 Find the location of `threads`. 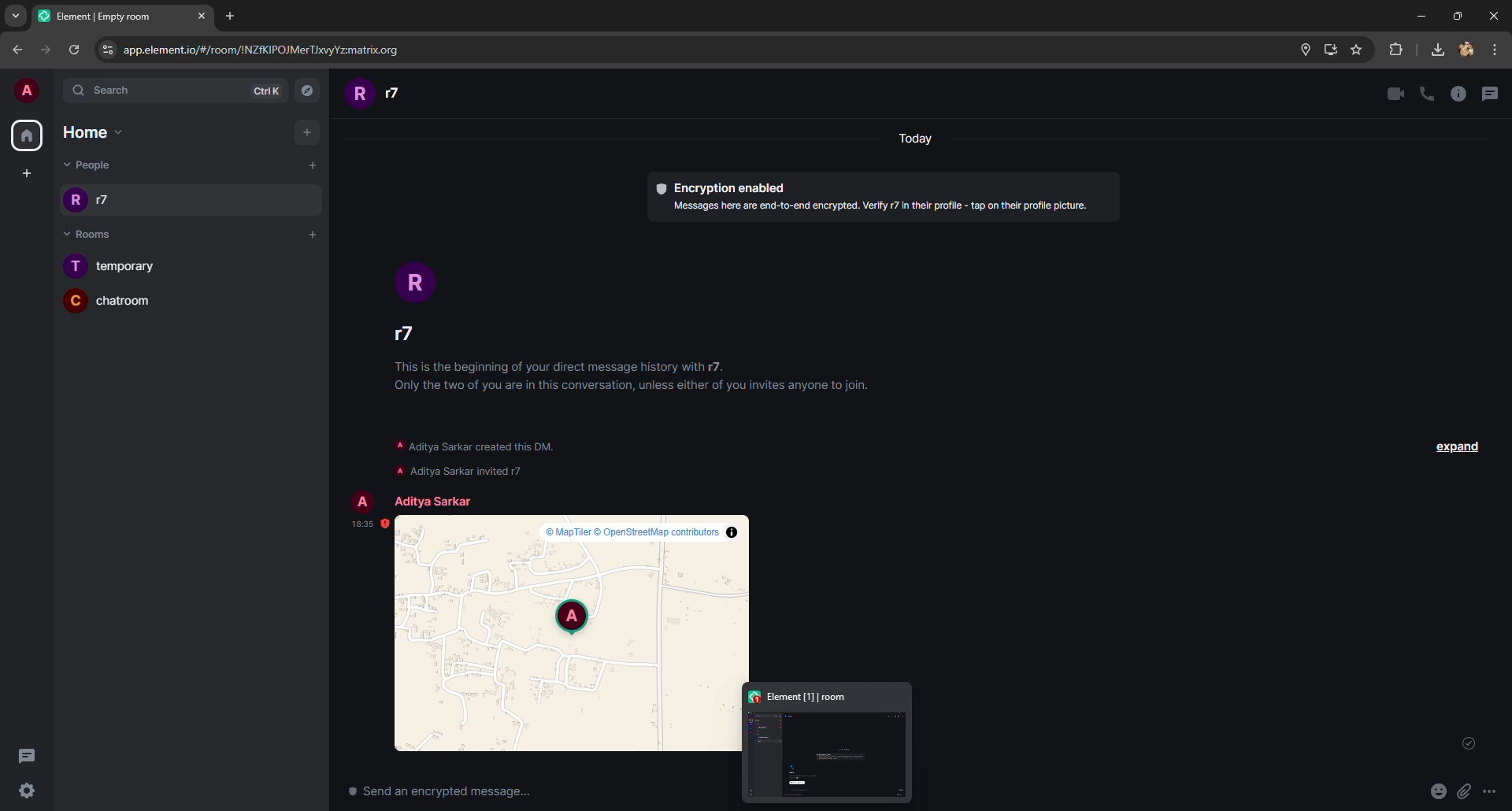

threads is located at coordinates (36, 757).